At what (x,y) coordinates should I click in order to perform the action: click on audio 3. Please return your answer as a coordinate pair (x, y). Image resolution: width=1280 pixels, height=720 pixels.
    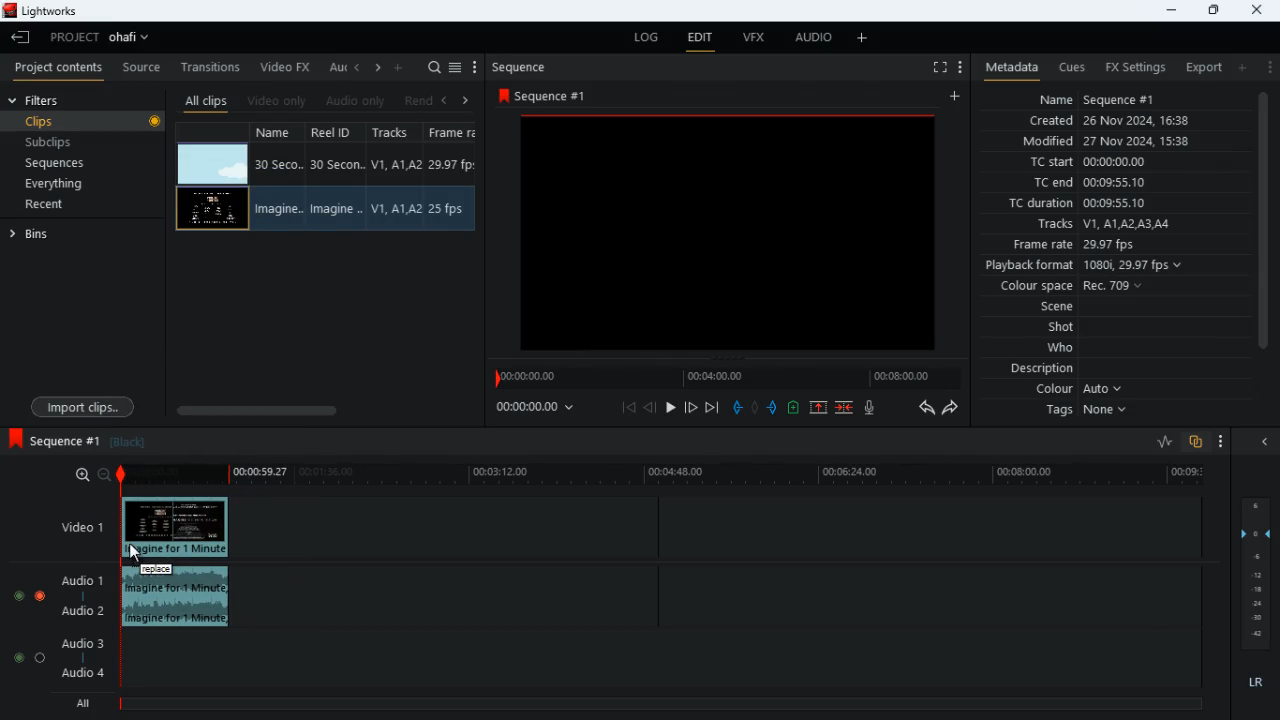
    Looking at the image, I should click on (83, 644).